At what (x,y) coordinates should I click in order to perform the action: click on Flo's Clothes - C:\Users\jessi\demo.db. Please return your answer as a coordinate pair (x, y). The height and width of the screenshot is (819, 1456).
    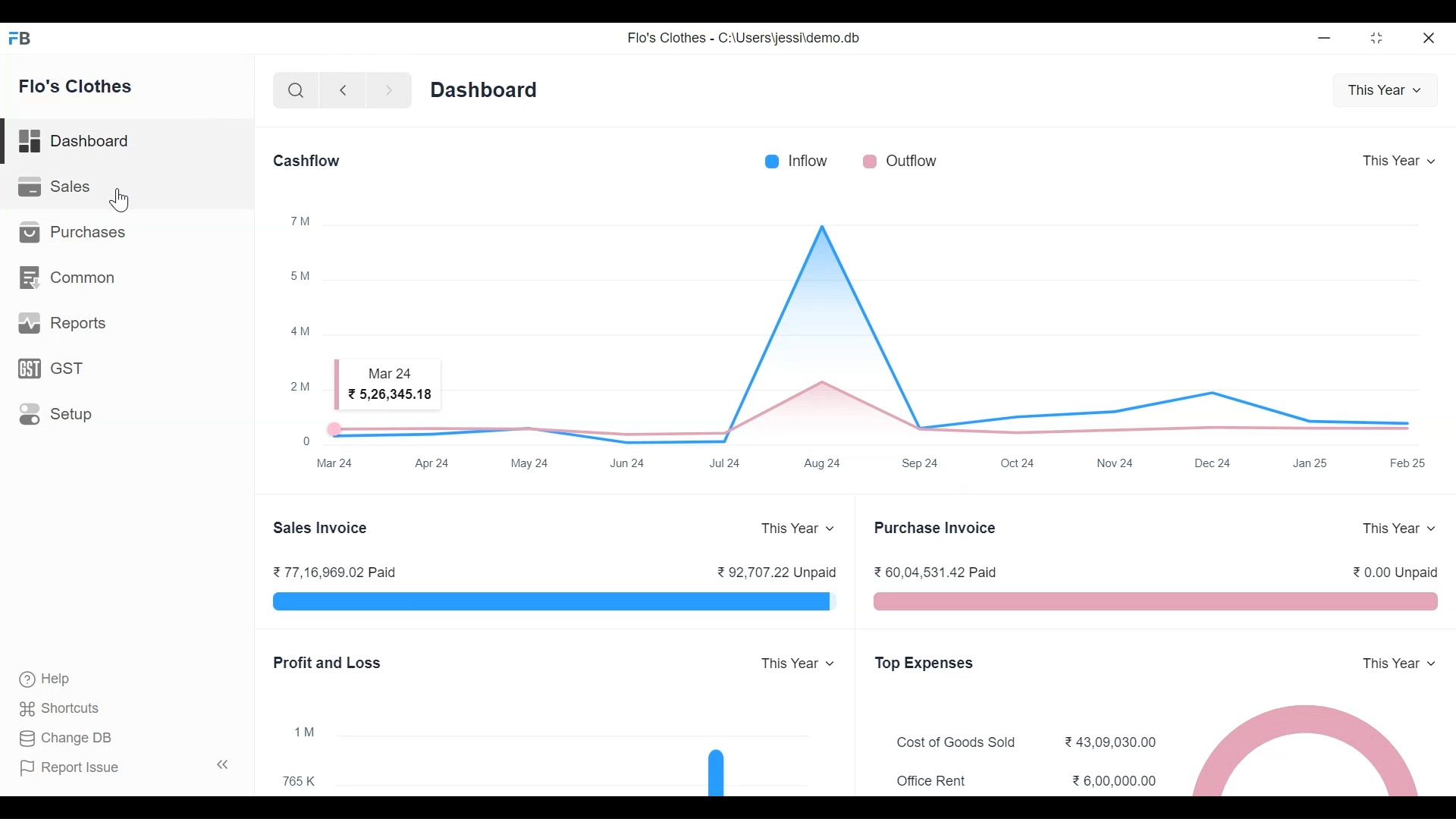
    Looking at the image, I should click on (744, 36).